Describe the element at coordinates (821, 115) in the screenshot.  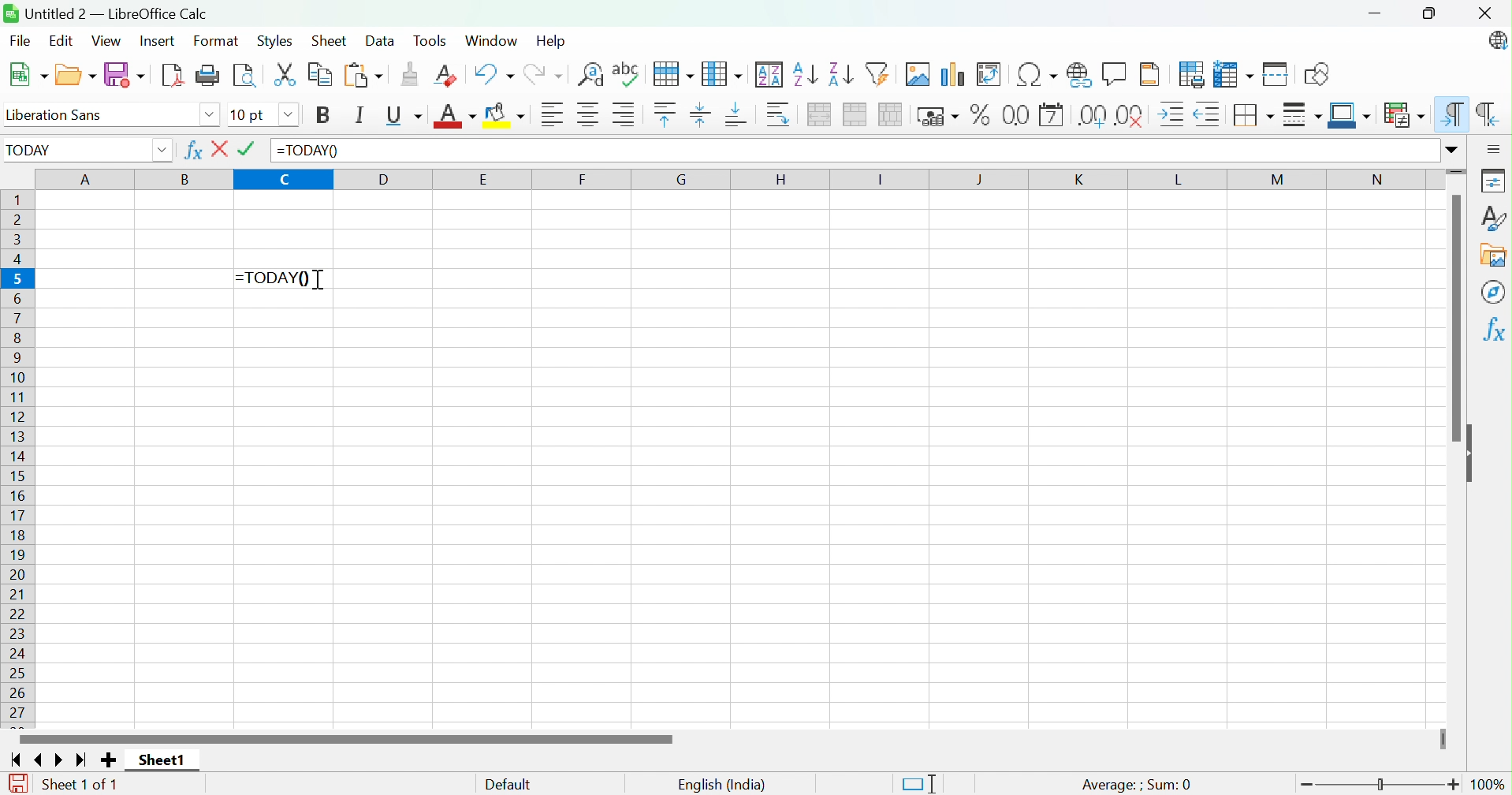
I see `Merge and center or unmerge cells depending on the current toggle state` at that location.